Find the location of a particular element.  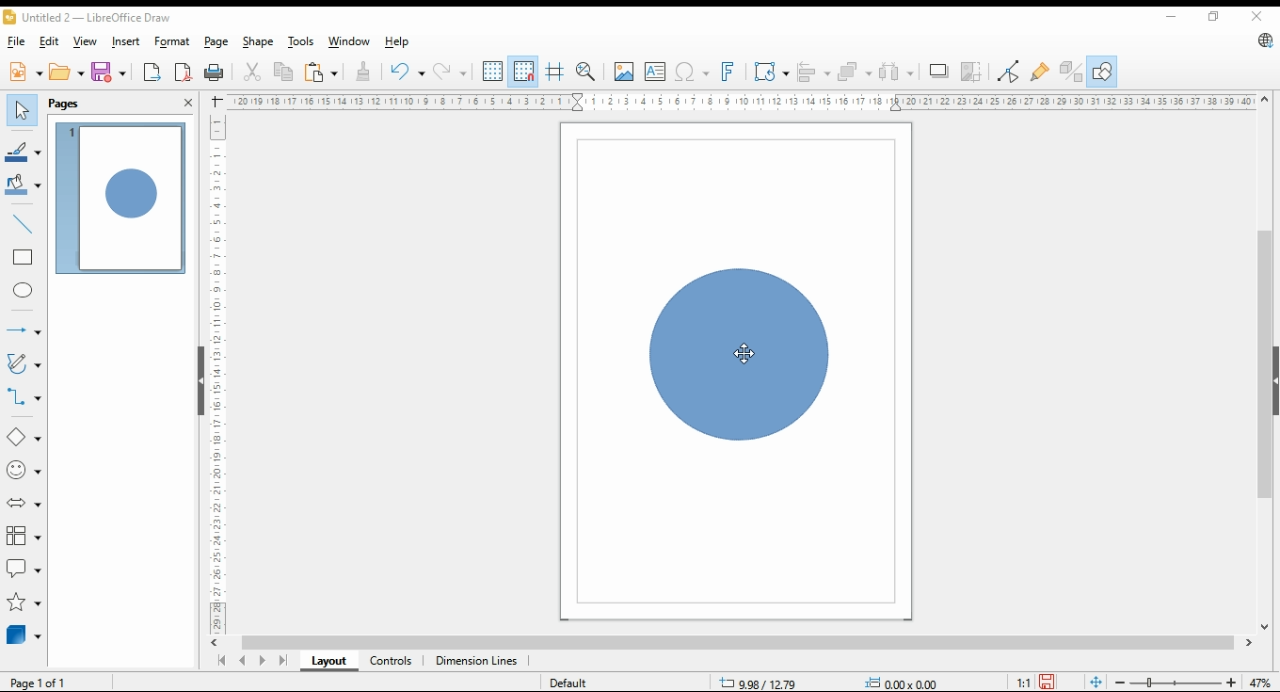

zoom factor is located at coordinates (1258, 680).